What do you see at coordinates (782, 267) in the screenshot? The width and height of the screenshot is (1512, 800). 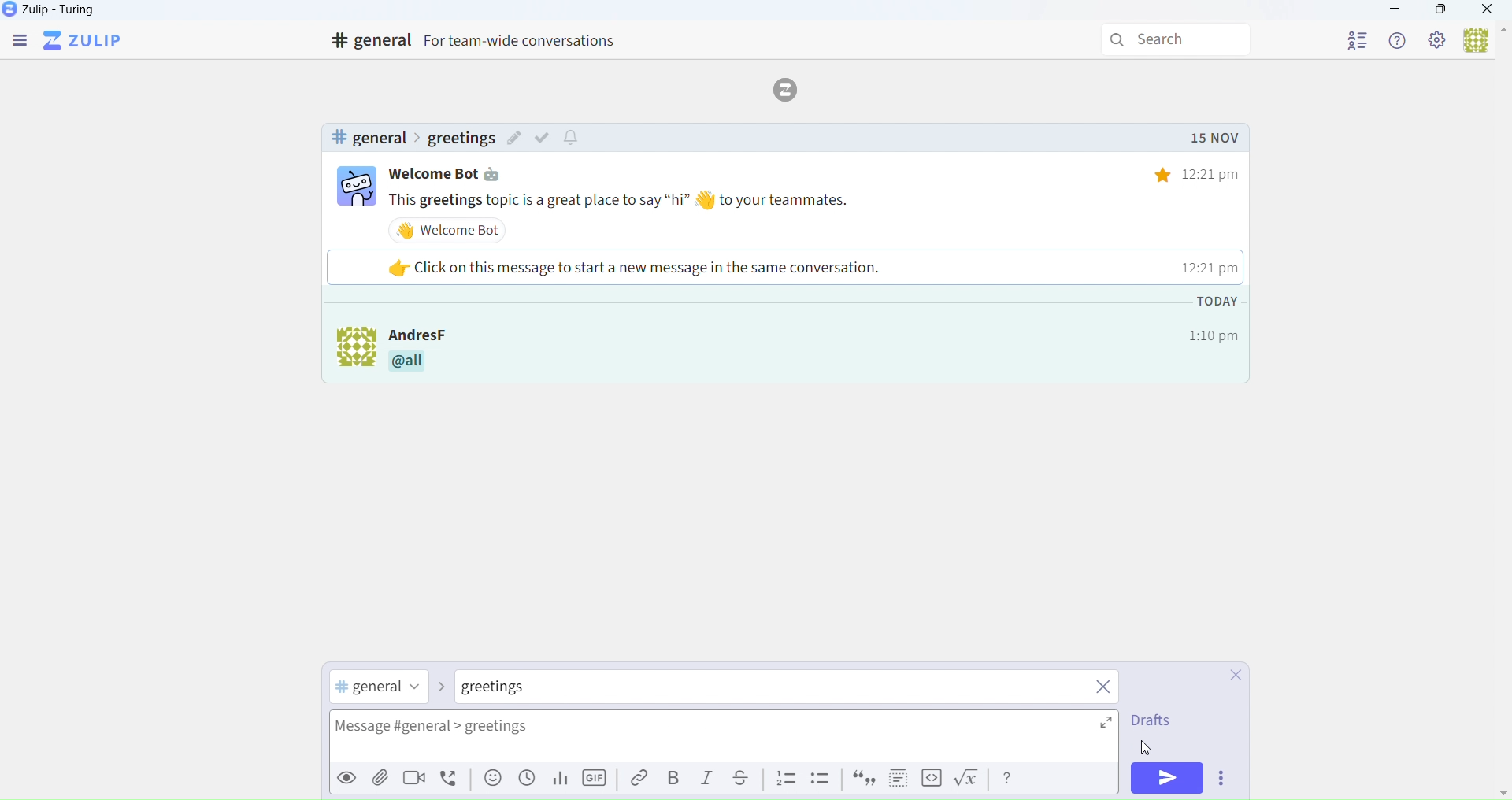 I see `click on this to start a new message` at bounding box center [782, 267].